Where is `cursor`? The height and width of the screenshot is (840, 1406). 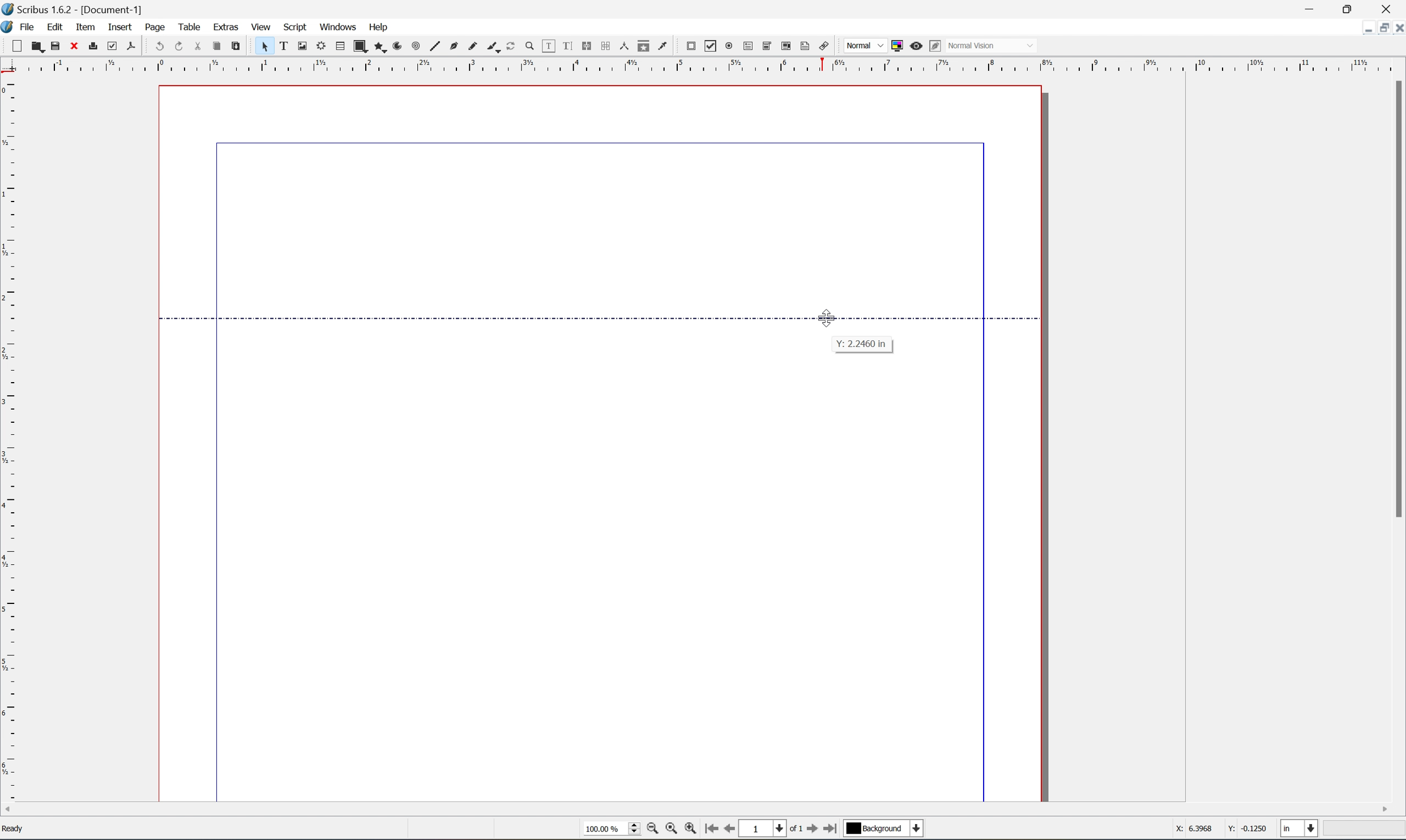
cursor is located at coordinates (827, 316).